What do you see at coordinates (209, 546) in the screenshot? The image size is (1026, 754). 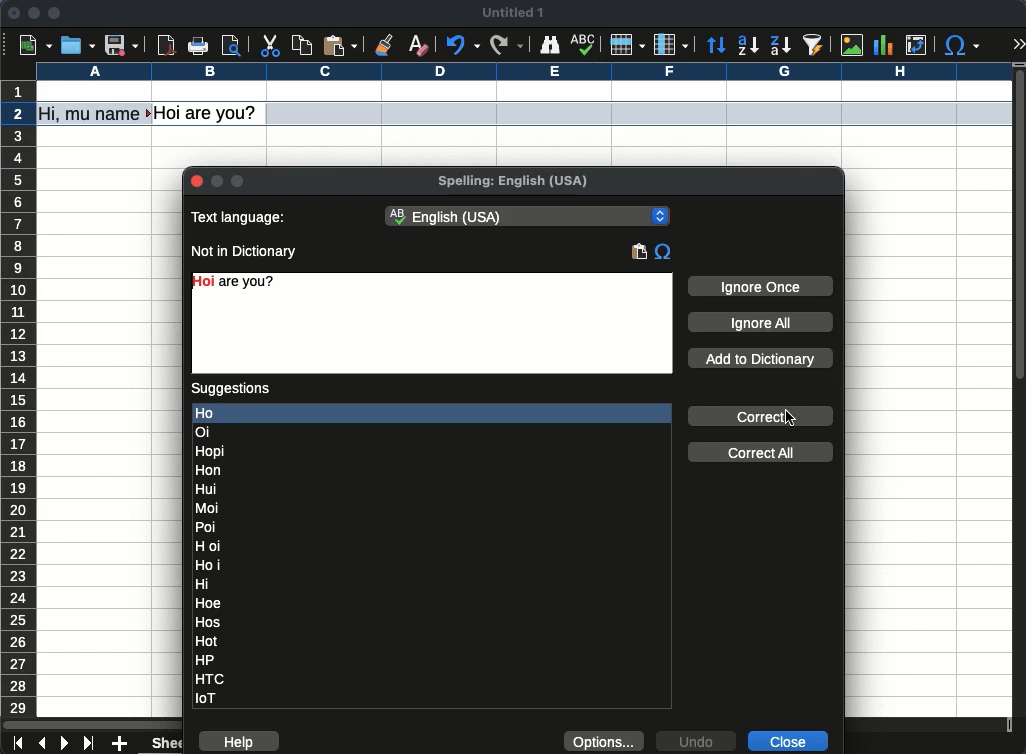 I see `H oi` at bounding box center [209, 546].